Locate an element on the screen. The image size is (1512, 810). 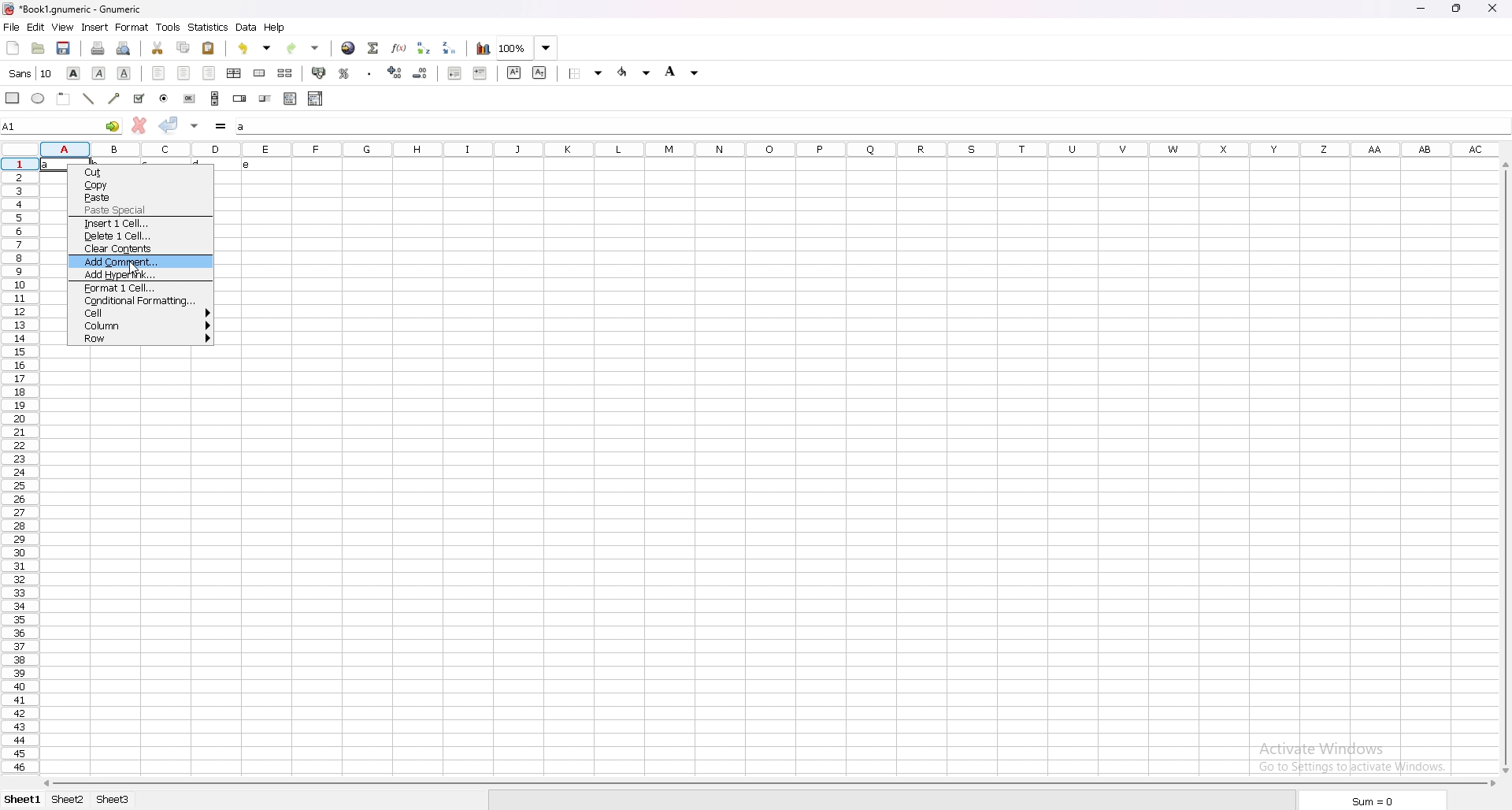
column is located at coordinates (770, 150).